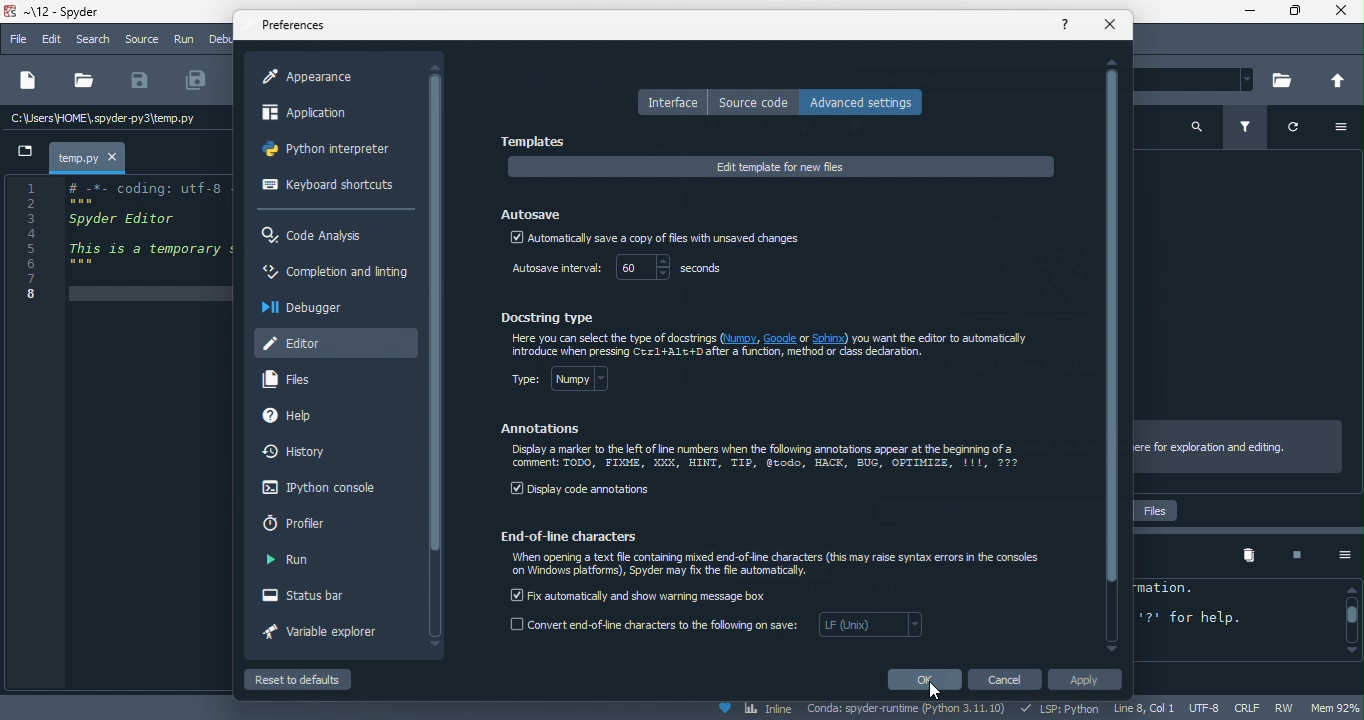 This screenshot has width=1364, height=720. I want to click on run, so click(185, 41).